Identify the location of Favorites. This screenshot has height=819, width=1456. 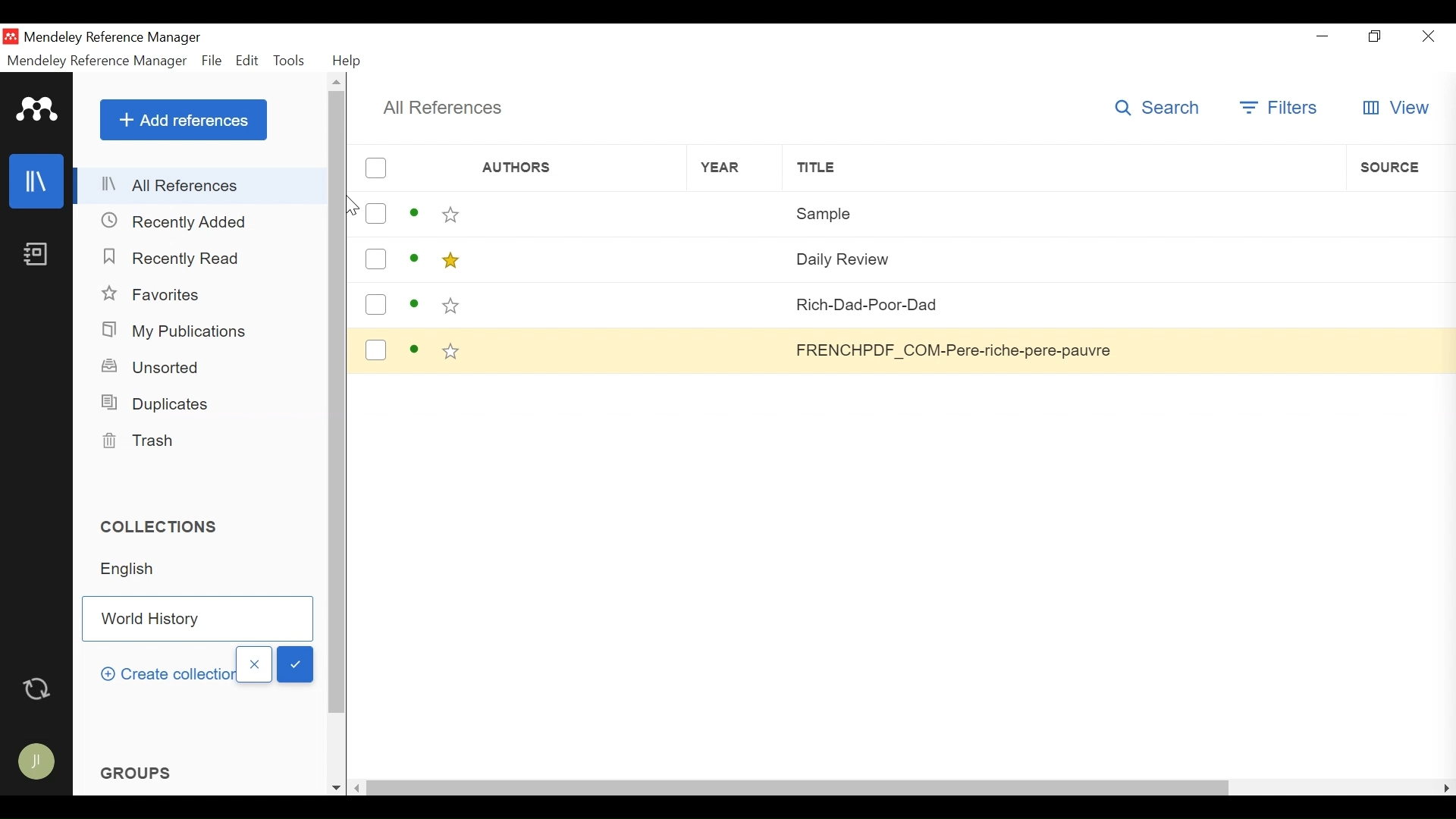
(154, 295).